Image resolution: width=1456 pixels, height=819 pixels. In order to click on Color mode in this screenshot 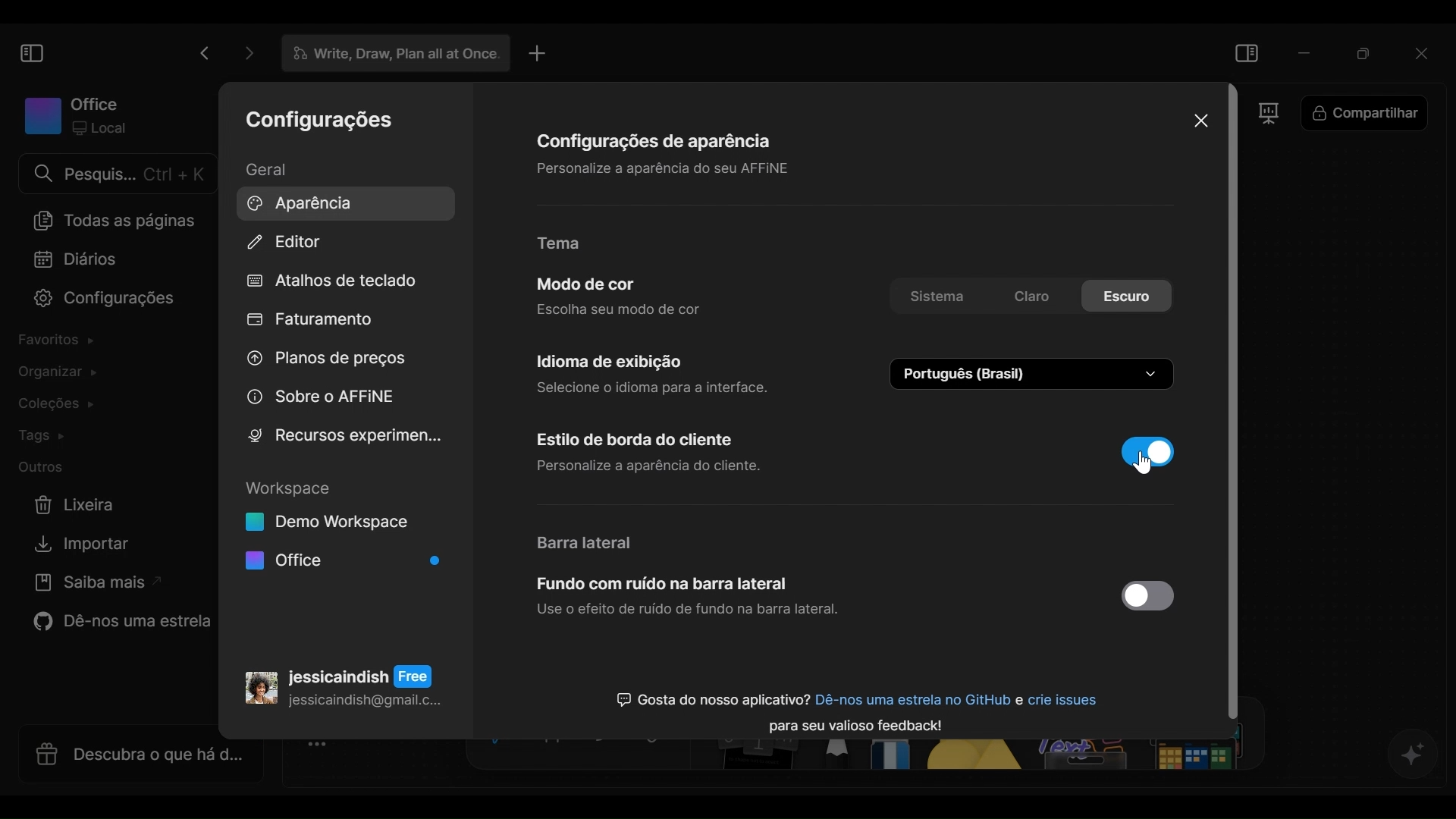, I will do `click(623, 296)`.